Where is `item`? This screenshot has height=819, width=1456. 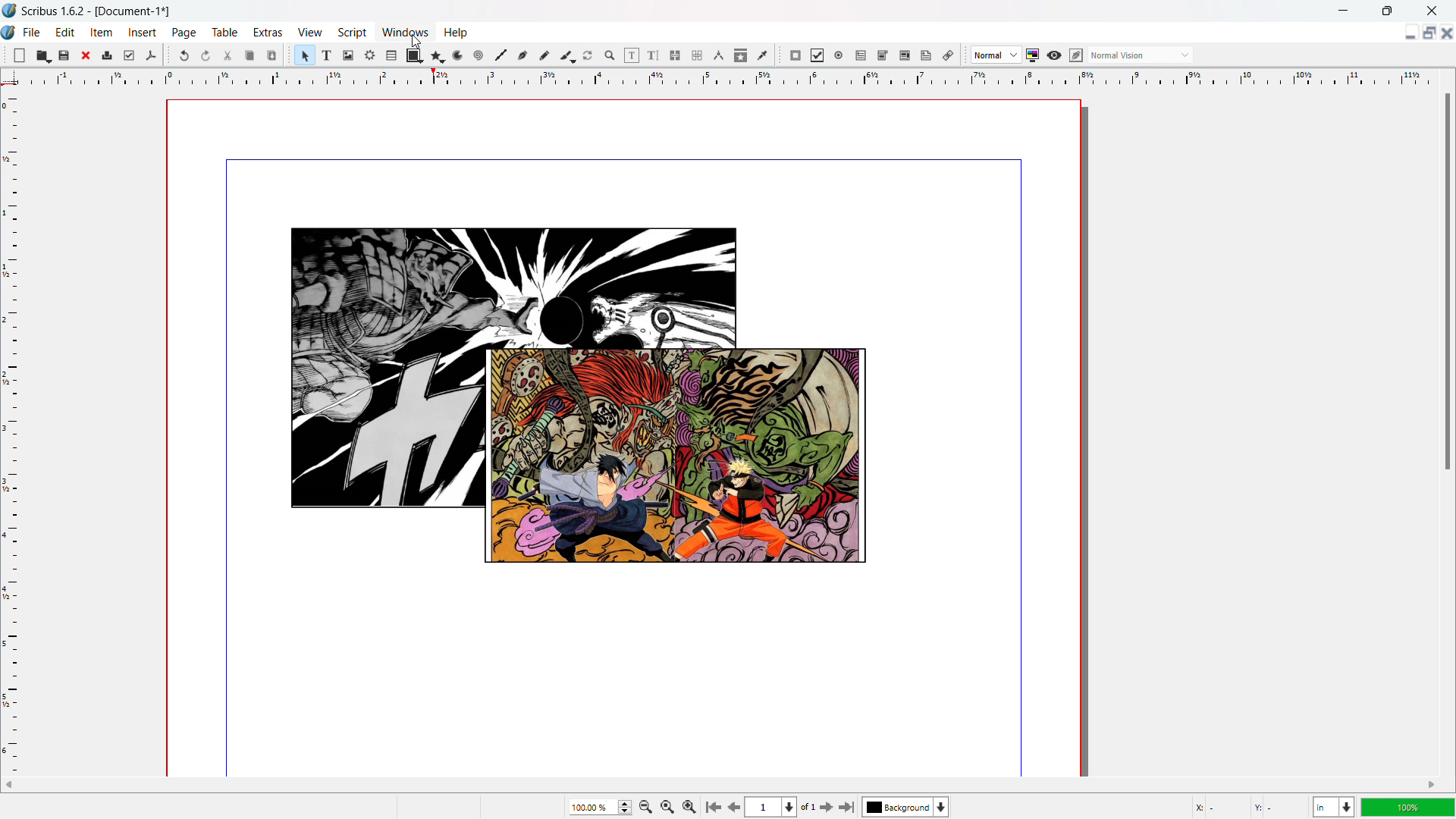 item is located at coordinates (102, 33).